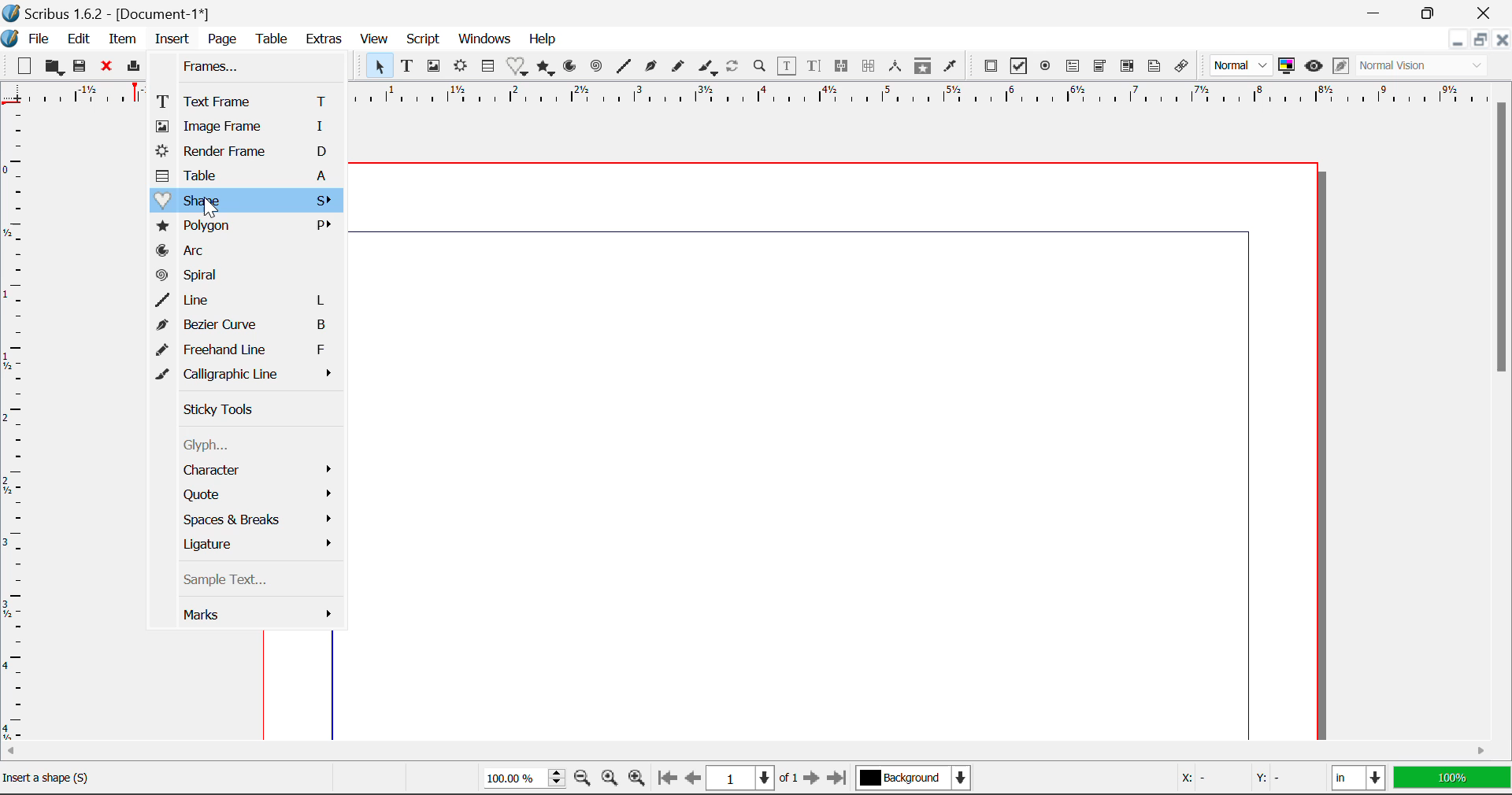 The image size is (1512, 795). I want to click on 1 of 1, so click(753, 778).